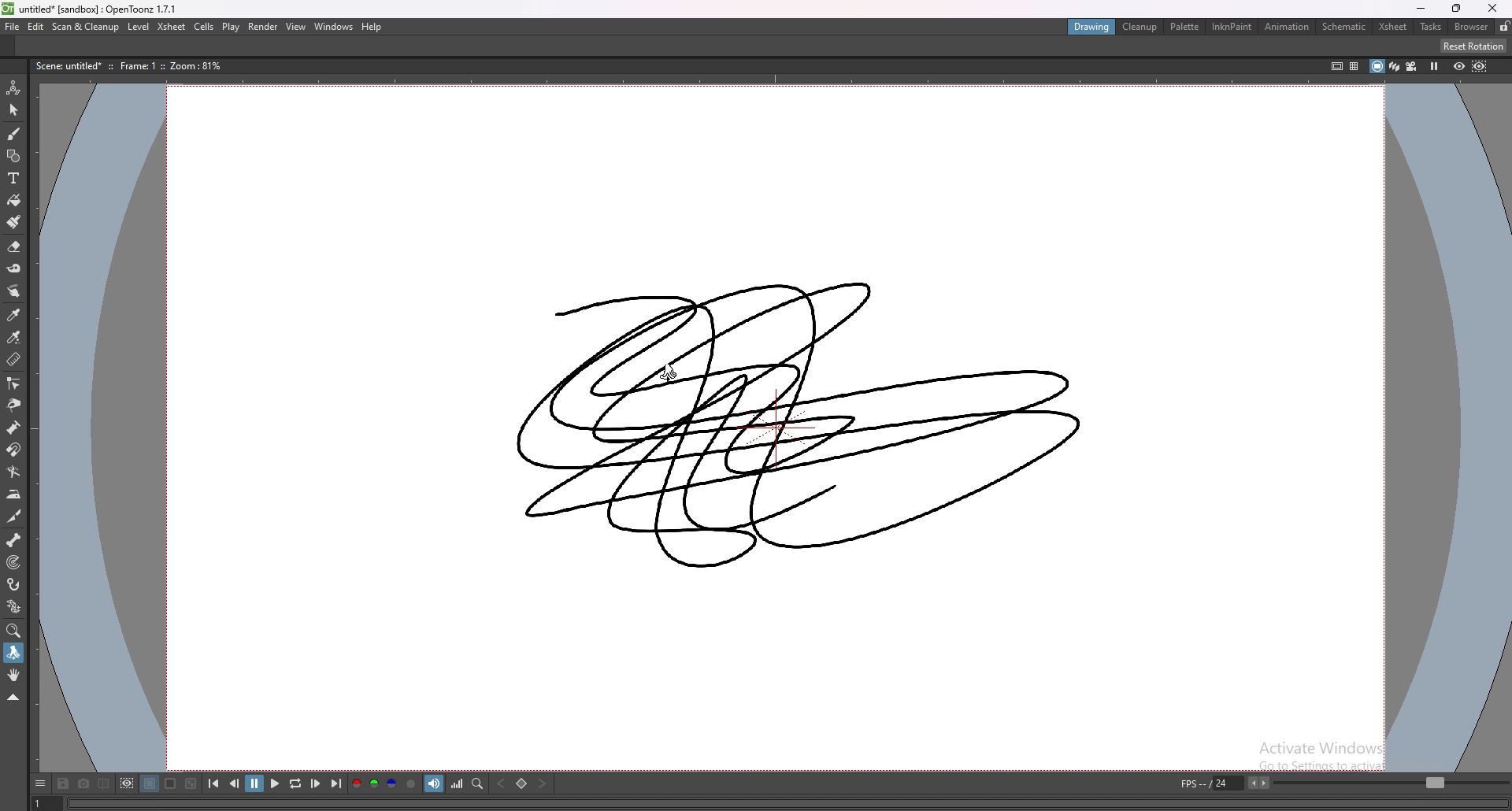  I want to click on pump, so click(13, 427).